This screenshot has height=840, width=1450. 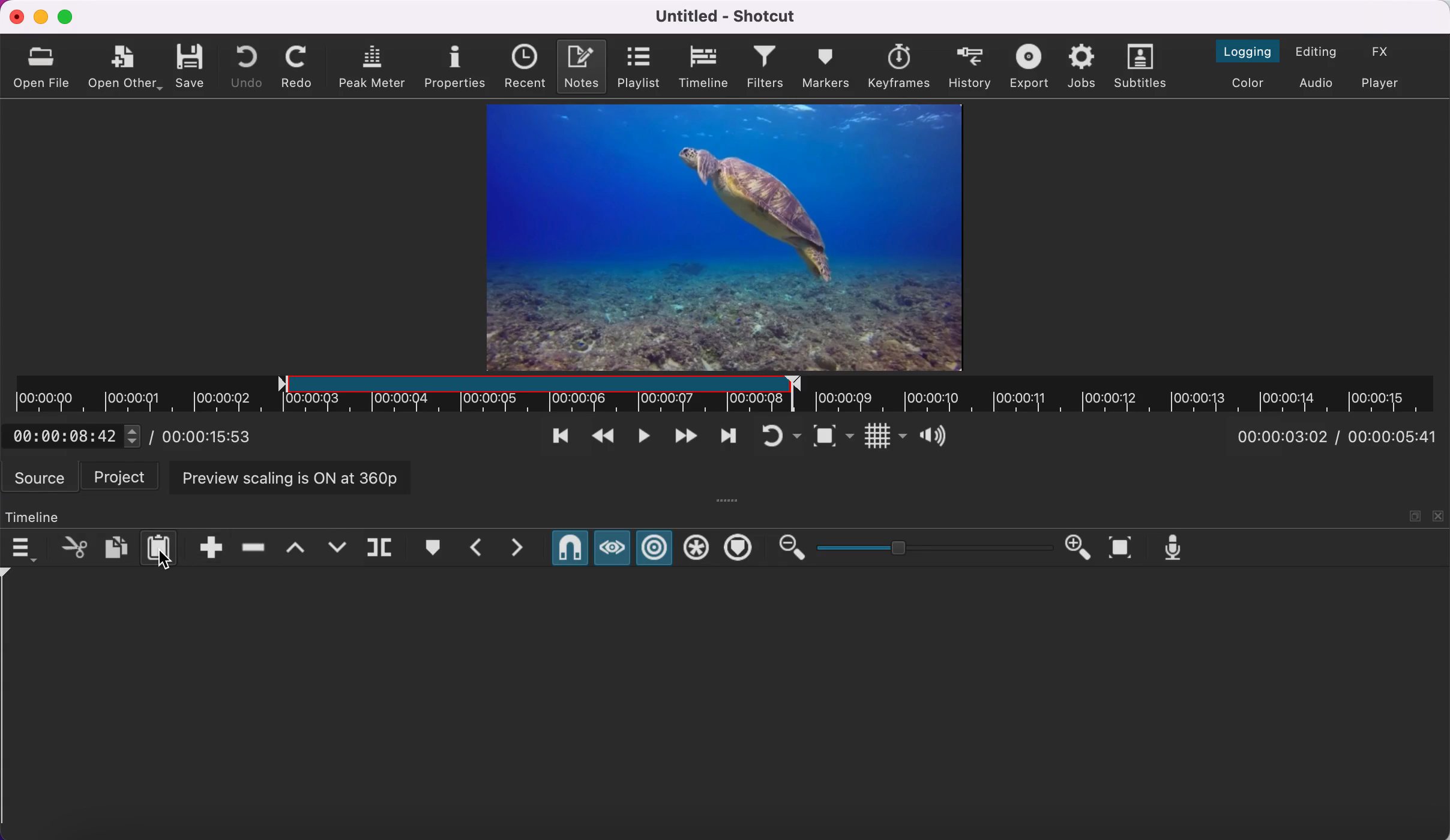 What do you see at coordinates (1386, 85) in the screenshot?
I see `switch to player only layout` at bounding box center [1386, 85].